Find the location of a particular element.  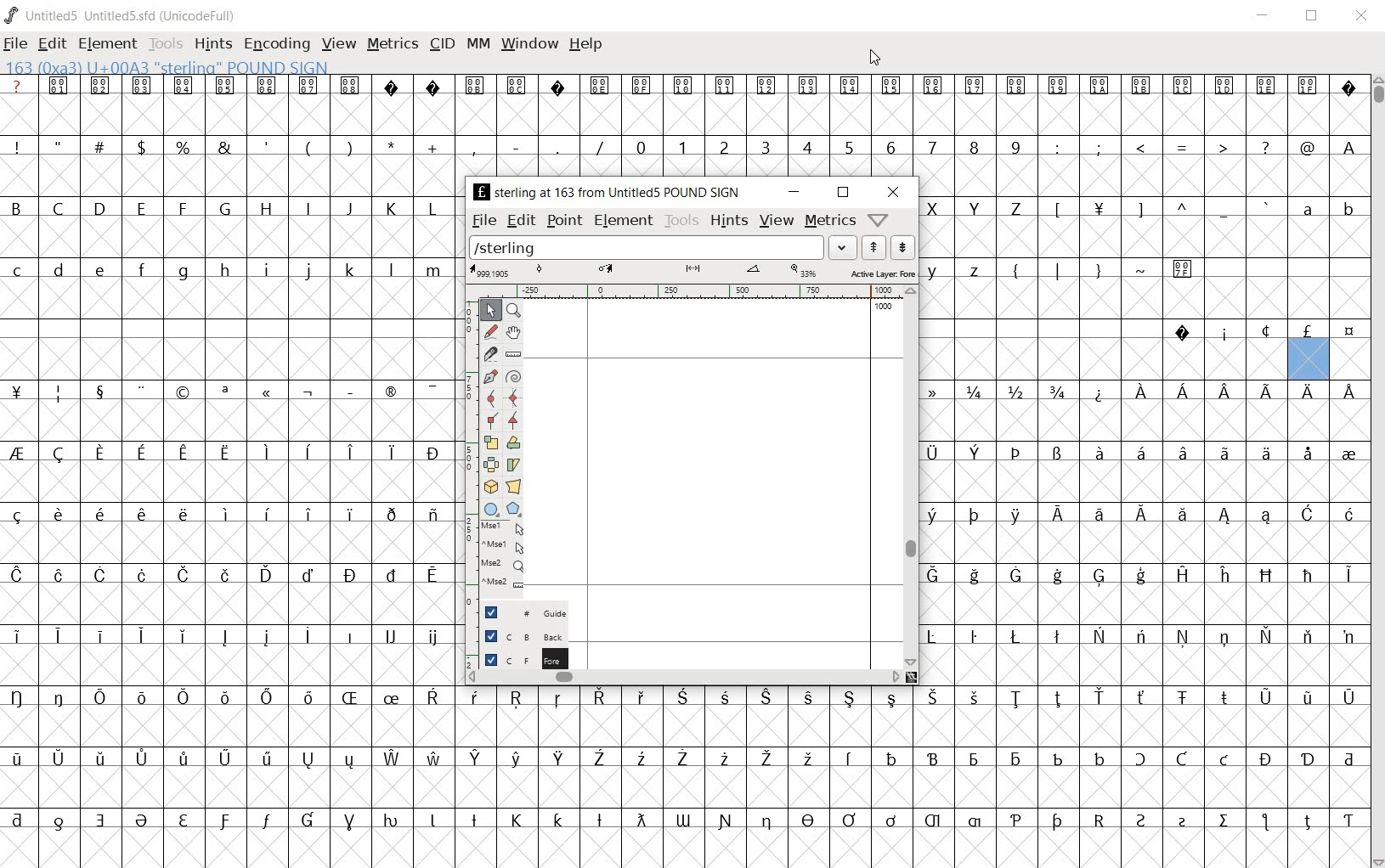

Symbol is located at coordinates (308, 637).